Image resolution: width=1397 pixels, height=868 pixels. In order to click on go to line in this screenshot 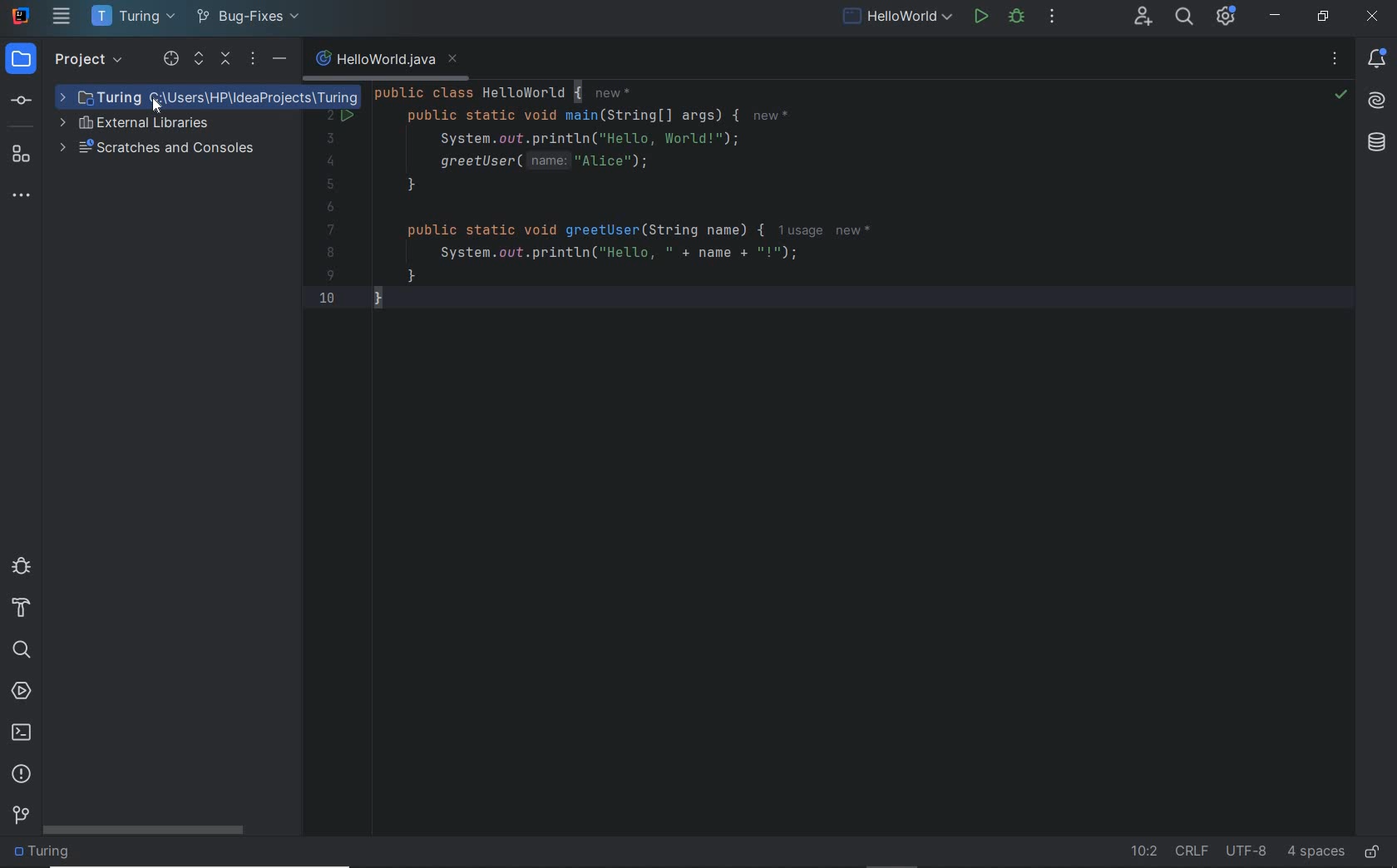, I will do `click(1145, 850)`.